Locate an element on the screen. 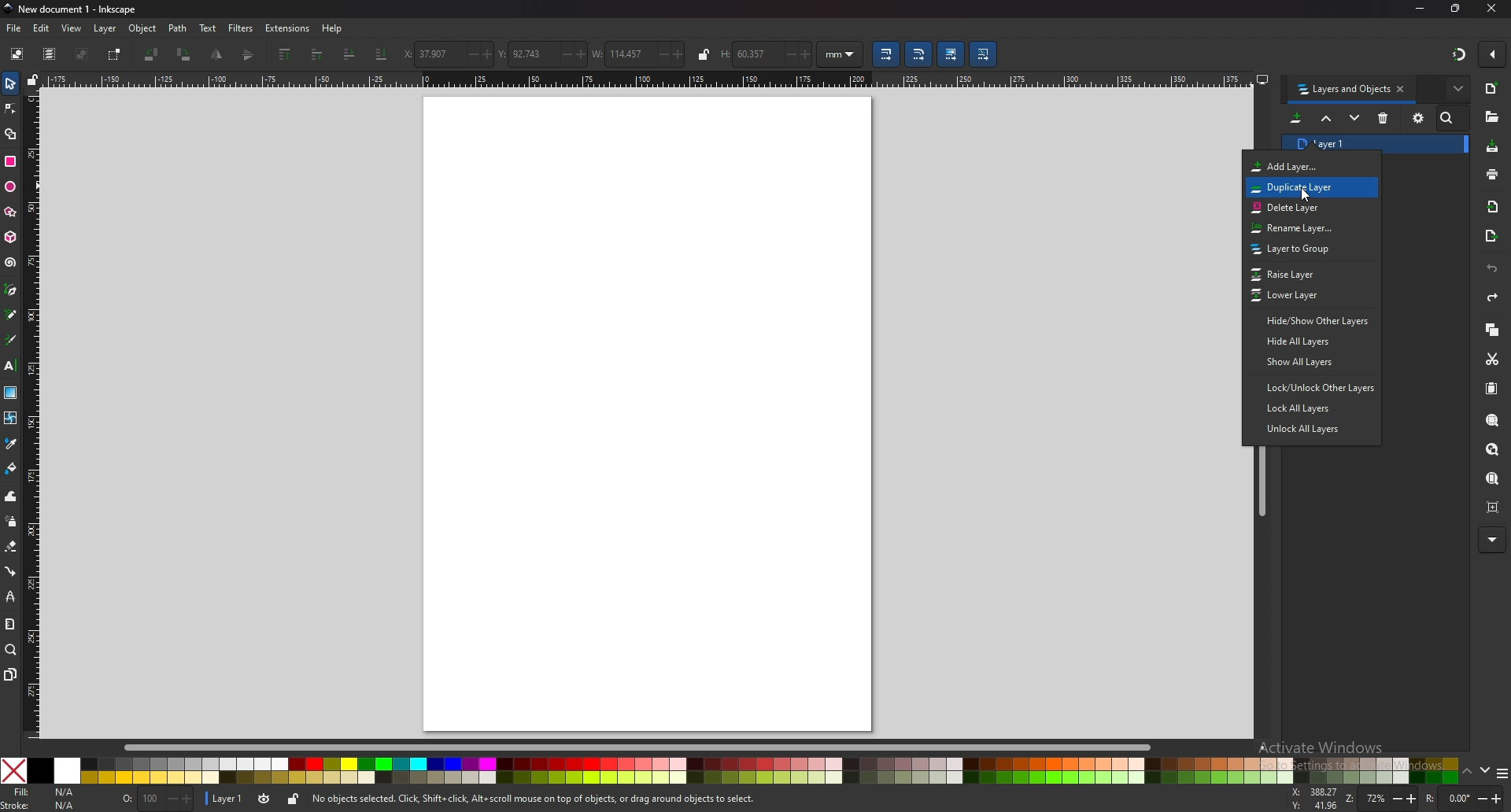 This screenshot has width=1511, height=812. move down is located at coordinates (1354, 116).